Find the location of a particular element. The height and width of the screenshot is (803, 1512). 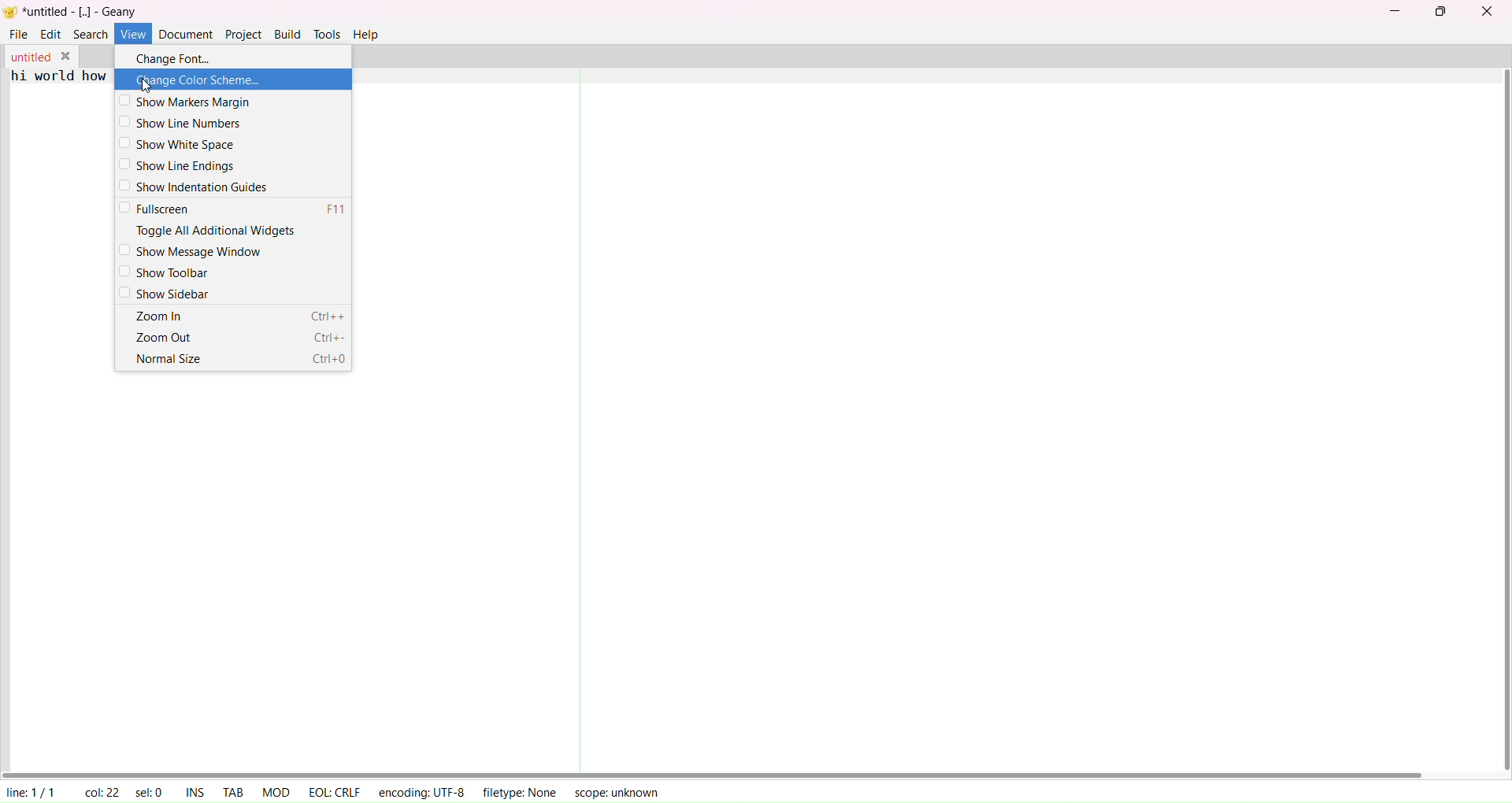

filetype:unknown is located at coordinates (521, 790).